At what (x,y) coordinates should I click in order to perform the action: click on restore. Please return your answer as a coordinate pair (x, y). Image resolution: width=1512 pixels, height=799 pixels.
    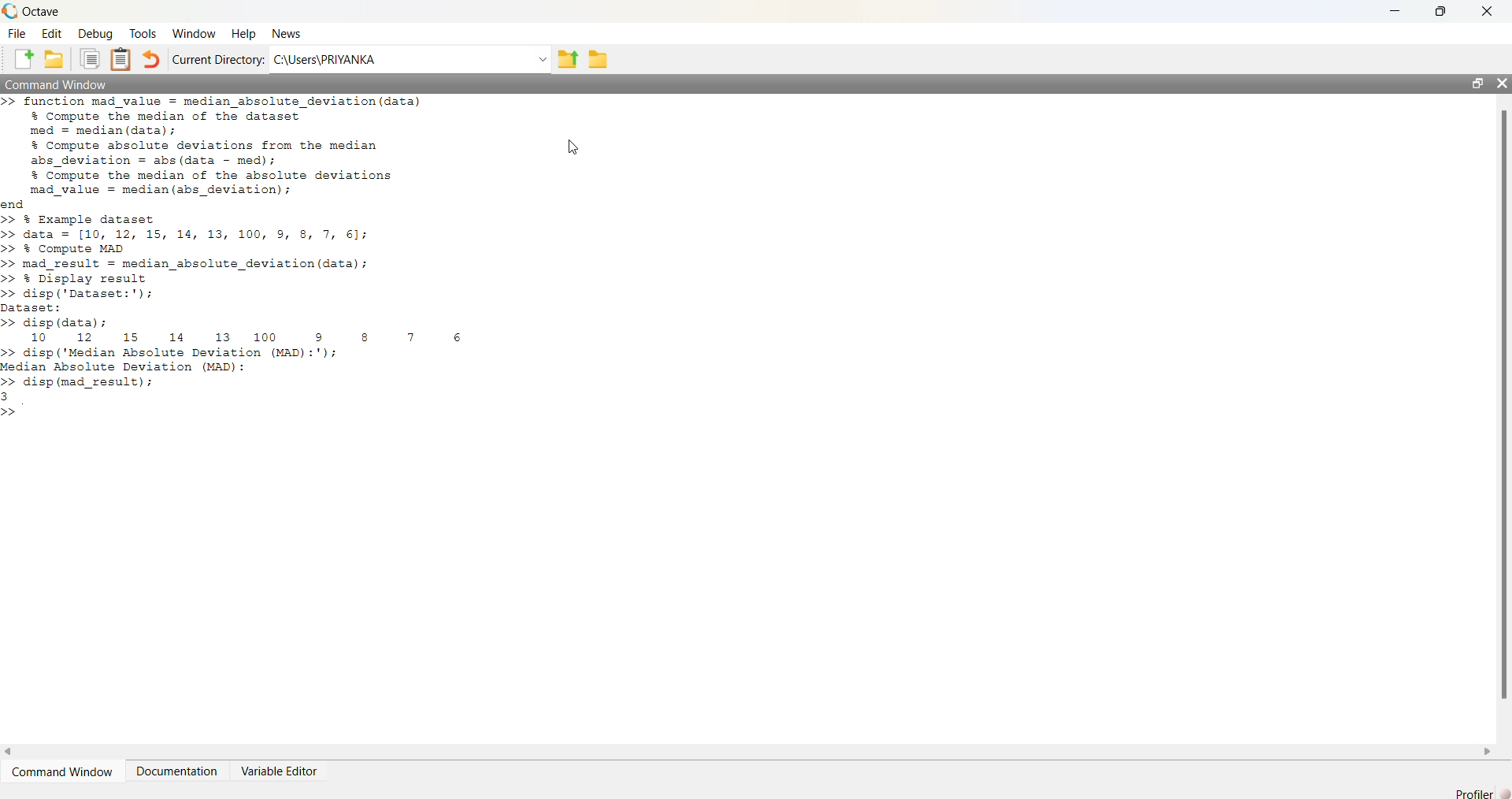
    Looking at the image, I should click on (1440, 10).